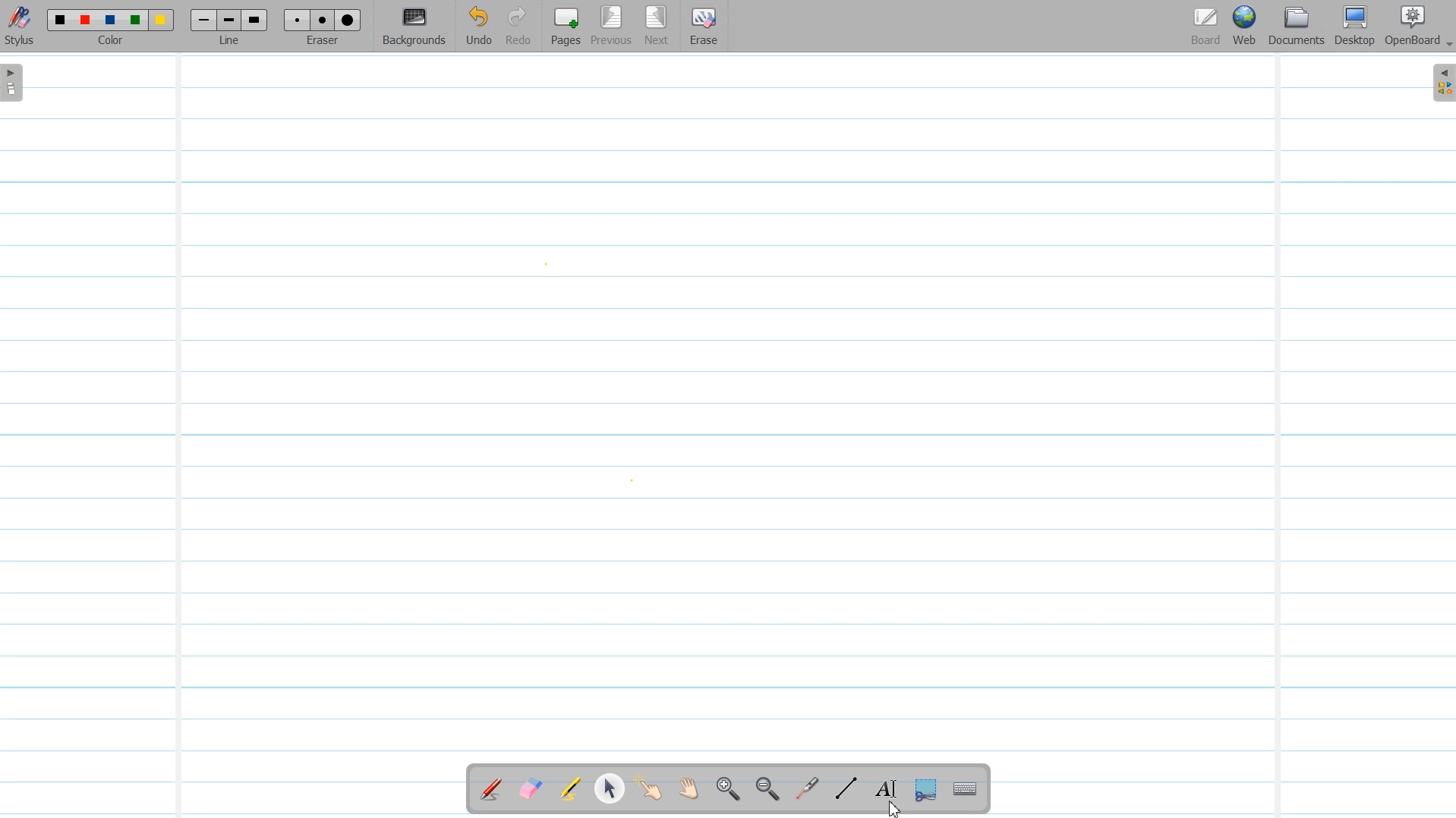 This screenshot has width=1456, height=818. Describe the element at coordinates (1447, 45) in the screenshot. I see `Drop Down Box` at that location.